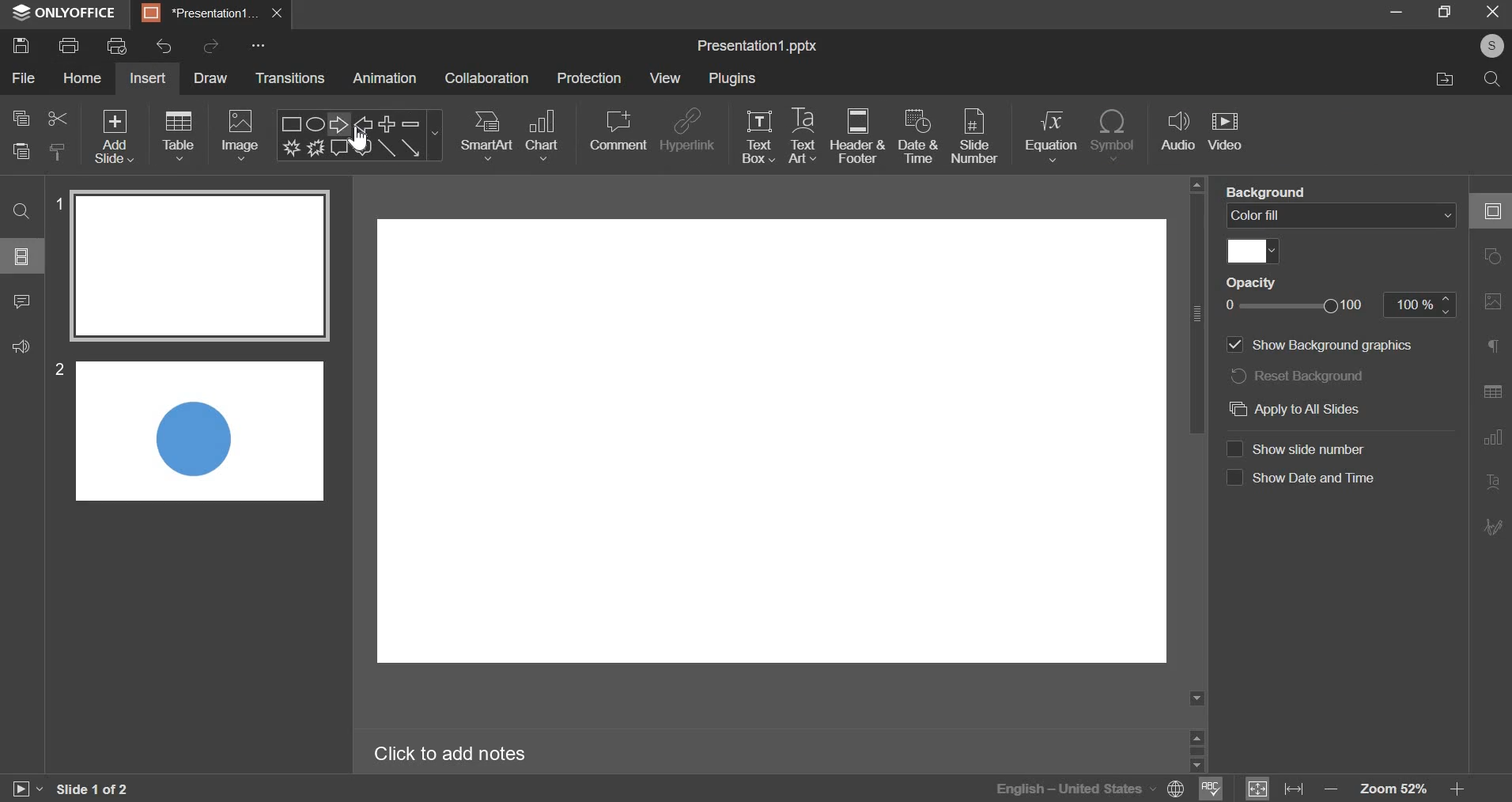 The width and height of the screenshot is (1512, 802). What do you see at coordinates (117, 44) in the screenshot?
I see `print preview` at bounding box center [117, 44].